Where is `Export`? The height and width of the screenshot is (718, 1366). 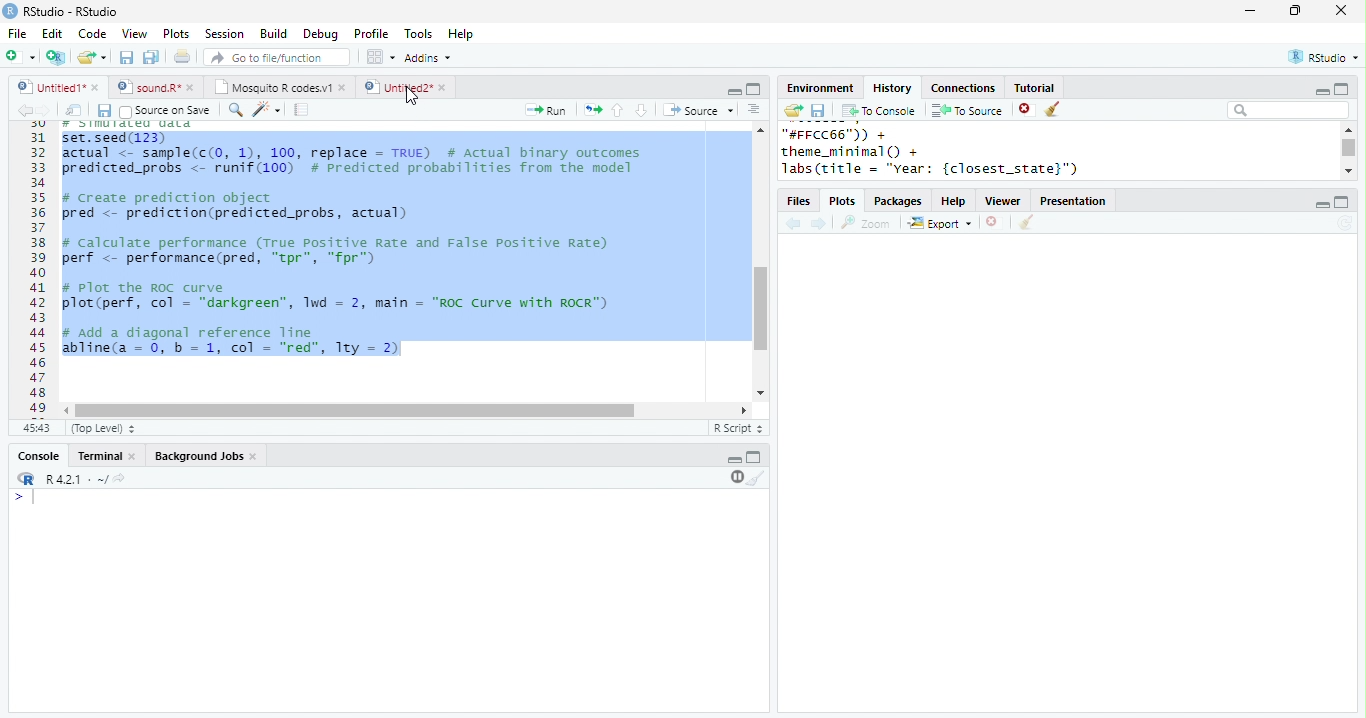 Export is located at coordinates (941, 224).